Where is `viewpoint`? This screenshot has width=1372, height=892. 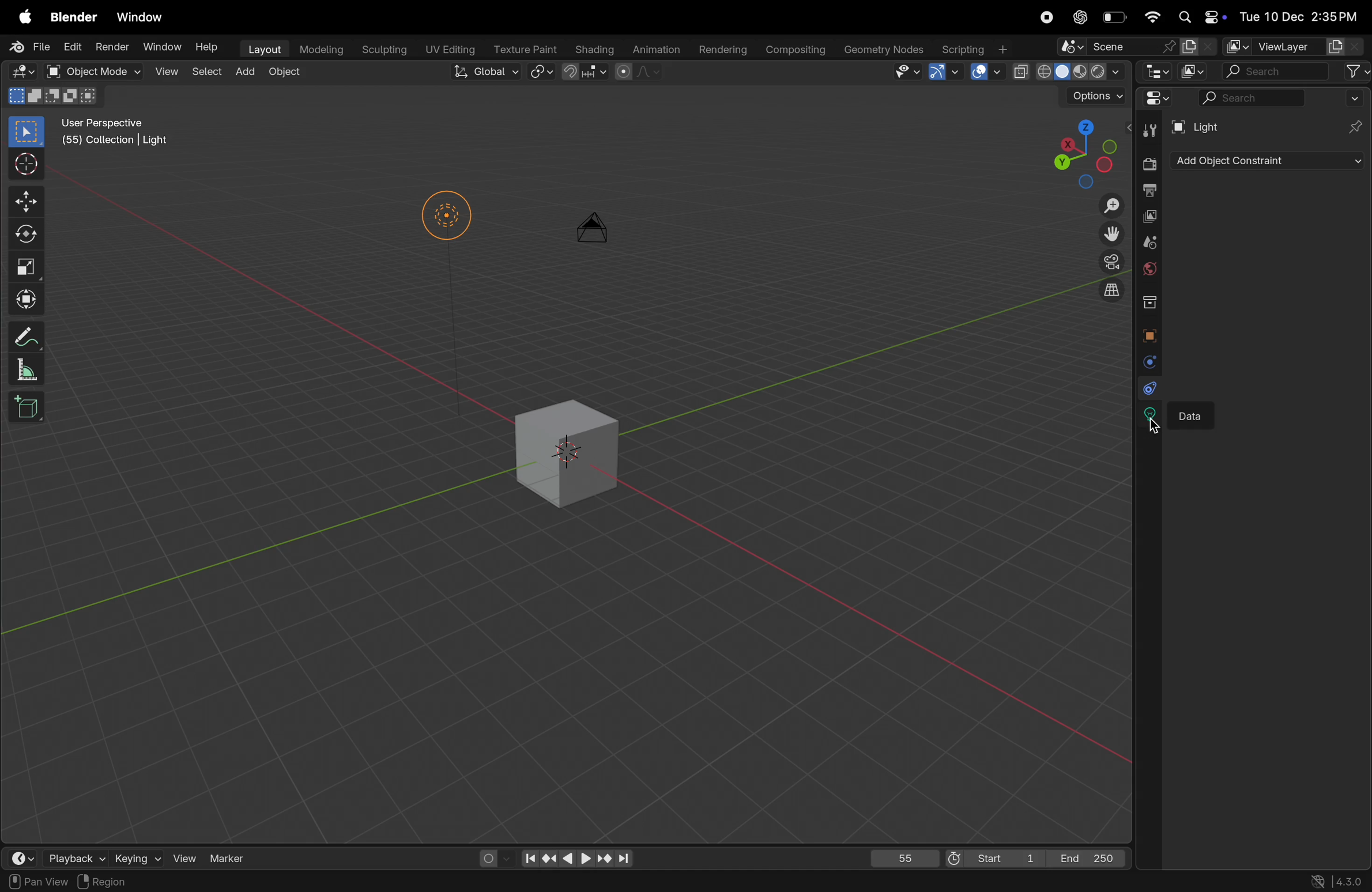
viewpoint is located at coordinates (1075, 152).